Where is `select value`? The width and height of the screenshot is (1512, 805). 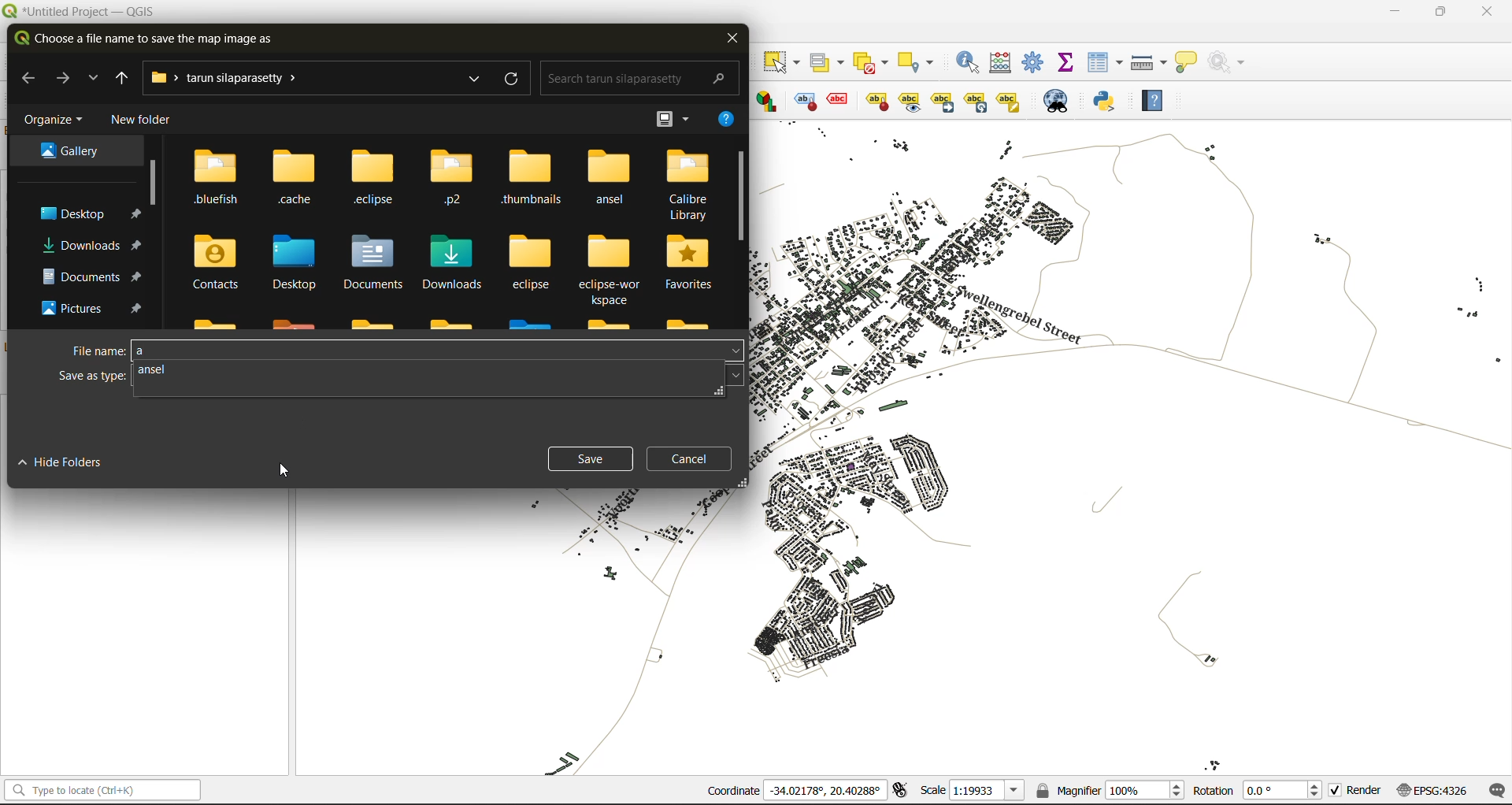
select value is located at coordinates (828, 59).